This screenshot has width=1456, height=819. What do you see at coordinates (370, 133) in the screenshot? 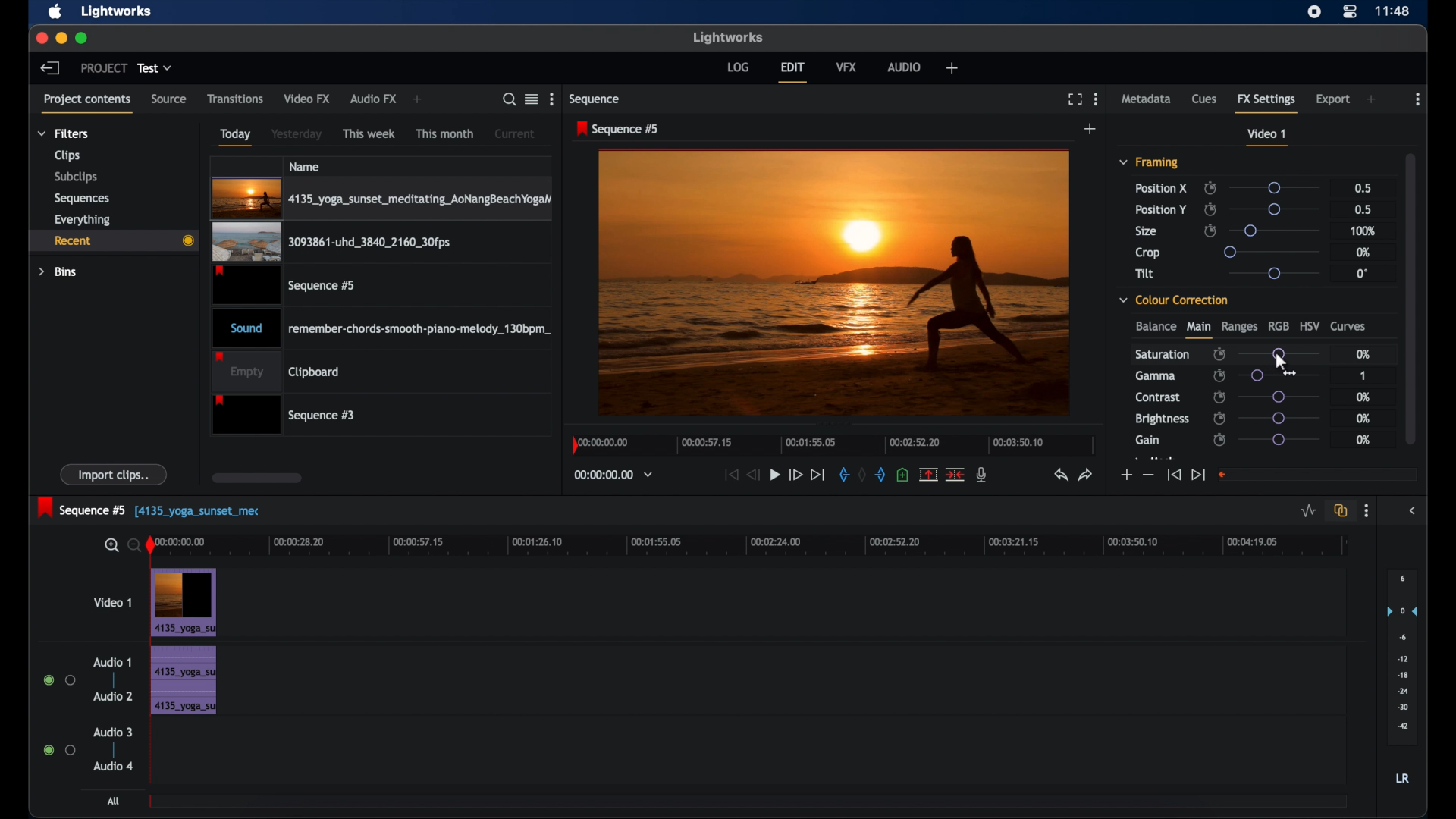
I see `this week` at bounding box center [370, 133].